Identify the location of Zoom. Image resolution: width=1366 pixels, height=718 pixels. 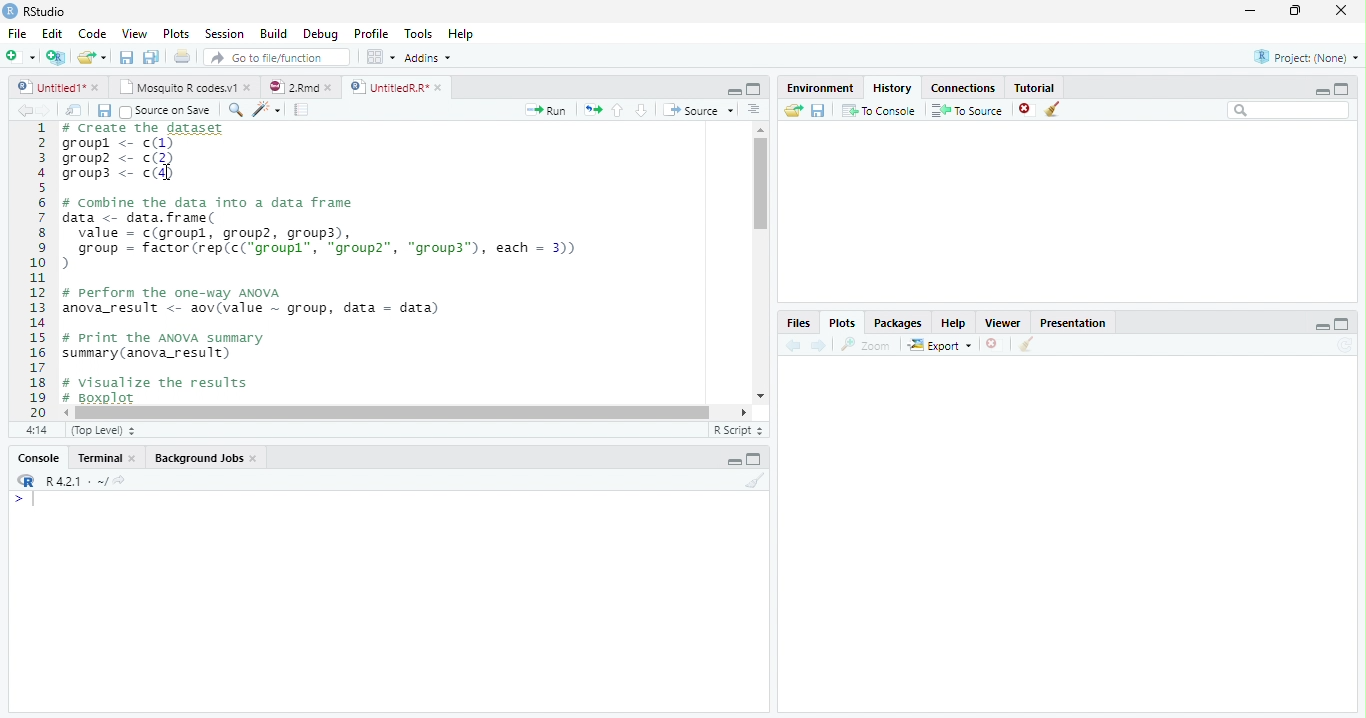
(867, 345).